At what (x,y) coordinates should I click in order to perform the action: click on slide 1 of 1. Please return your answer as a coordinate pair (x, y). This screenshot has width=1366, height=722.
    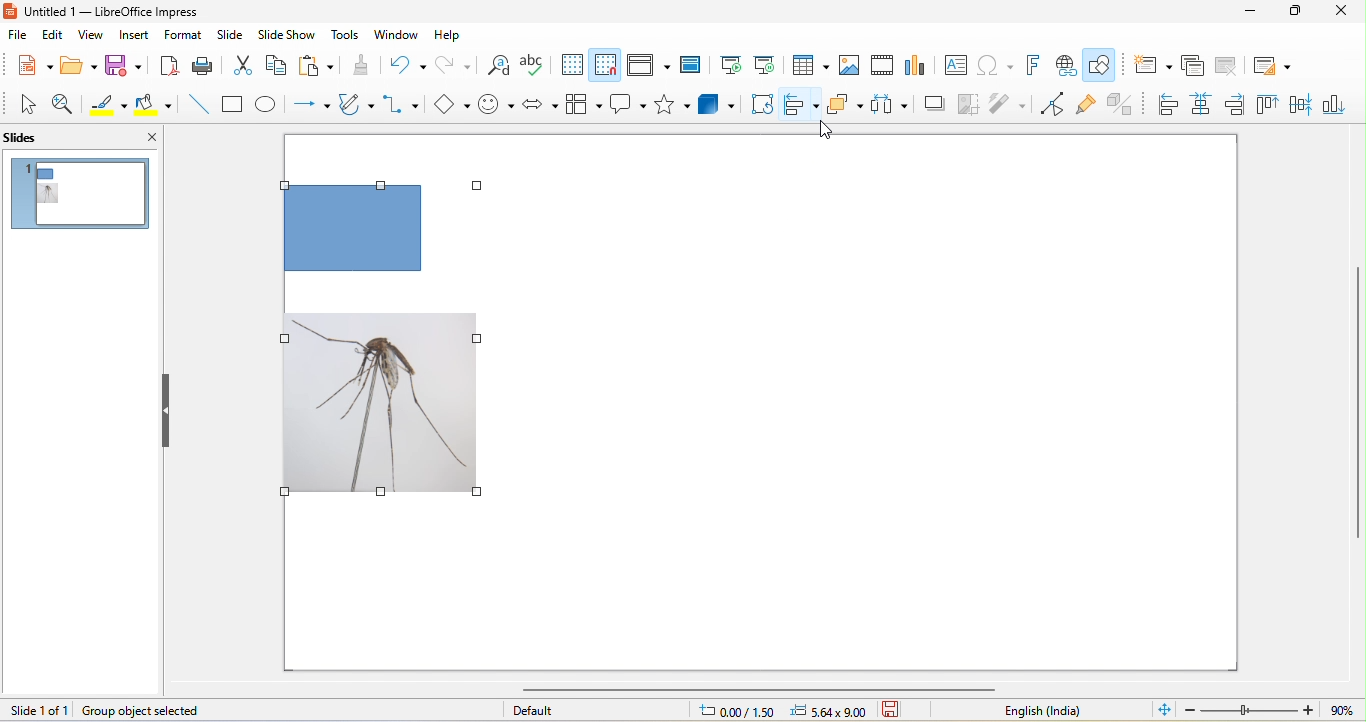
    Looking at the image, I should click on (38, 710).